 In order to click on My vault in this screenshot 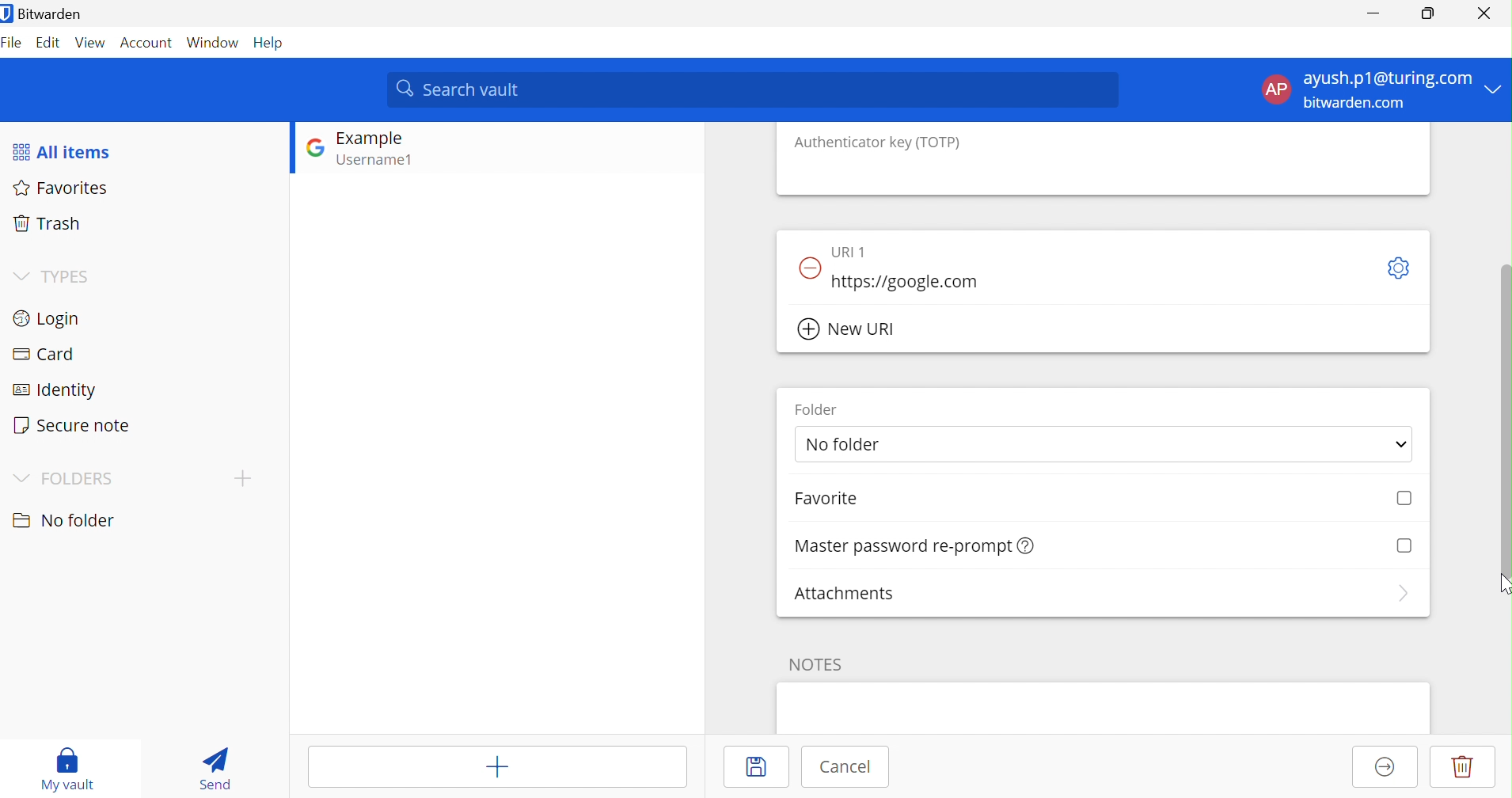, I will do `click(69, 767)`.